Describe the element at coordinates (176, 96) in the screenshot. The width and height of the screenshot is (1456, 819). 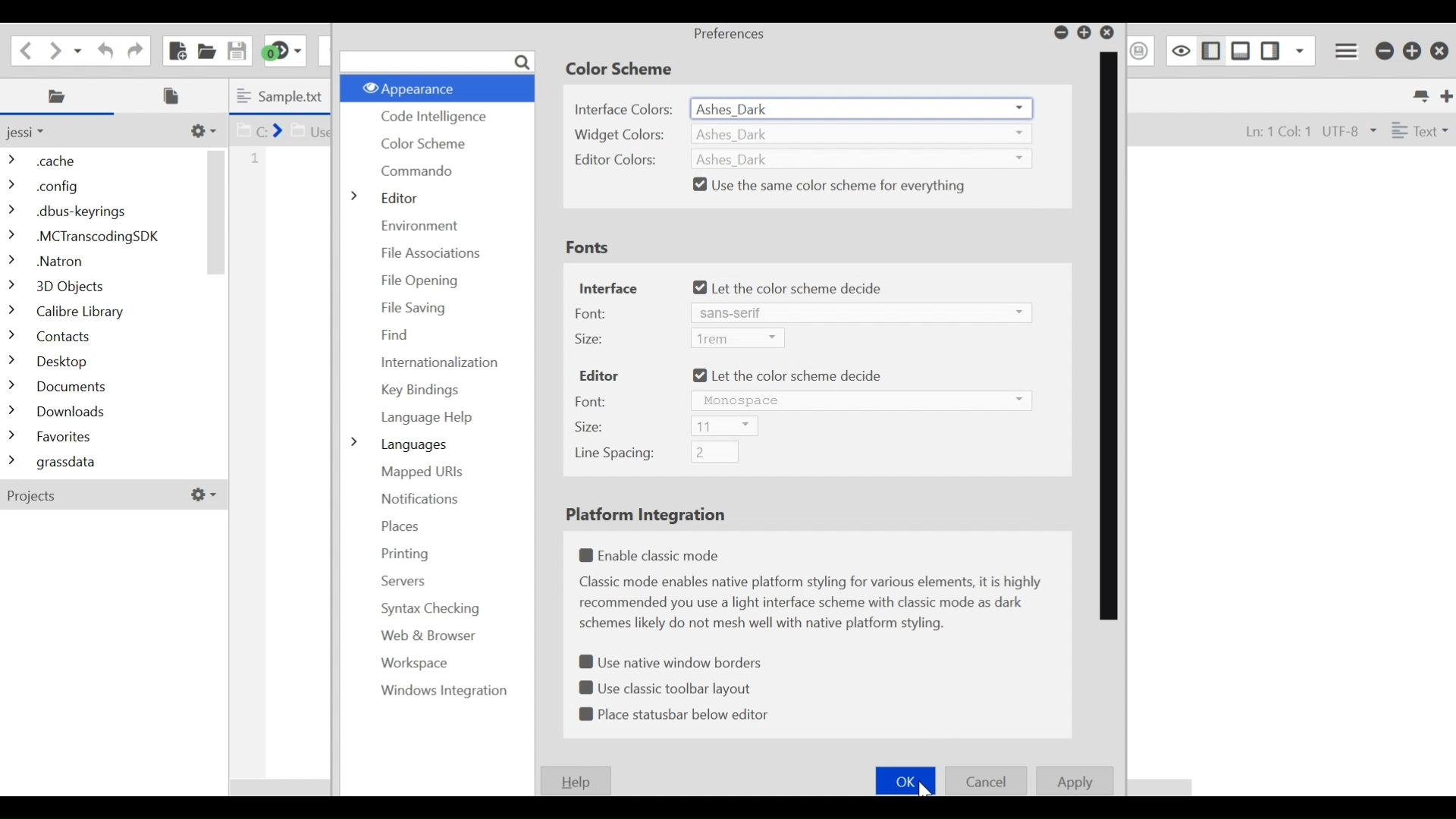
I see `Open Files` at that location.